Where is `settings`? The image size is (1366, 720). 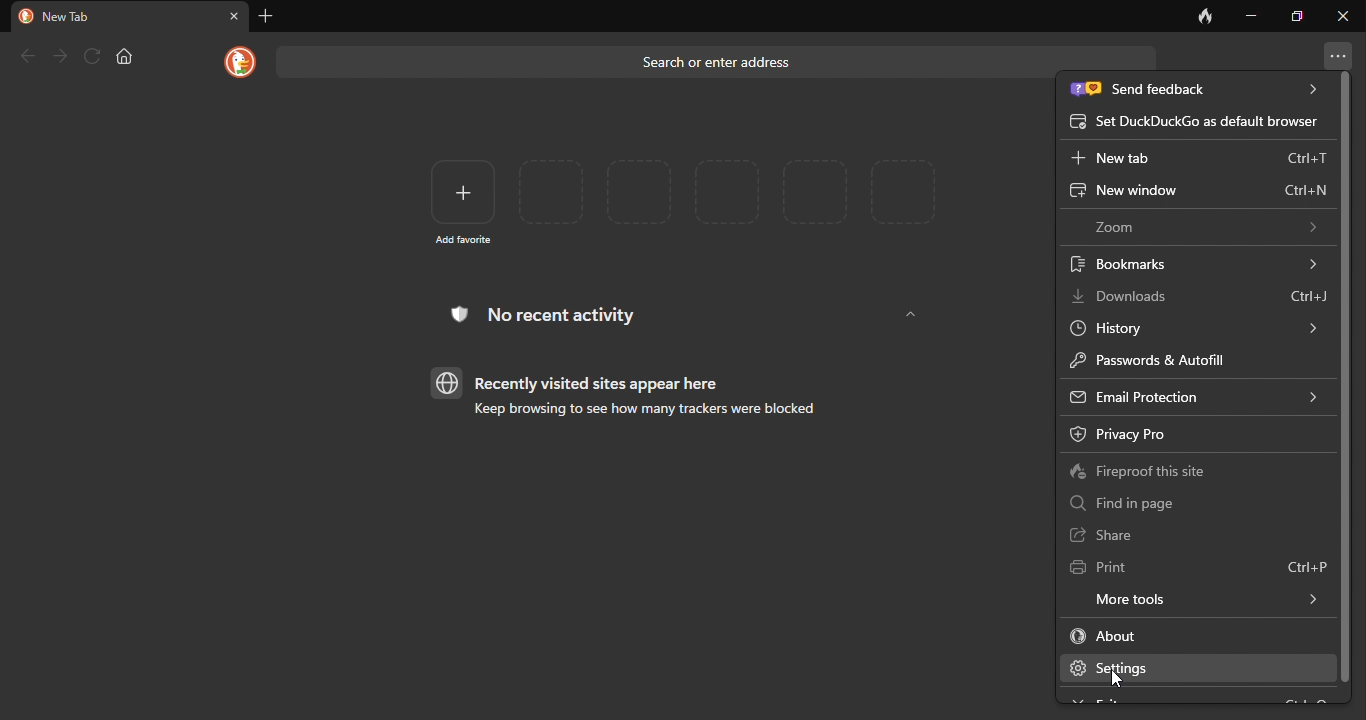
settings is located at coordinates (1195, 668).